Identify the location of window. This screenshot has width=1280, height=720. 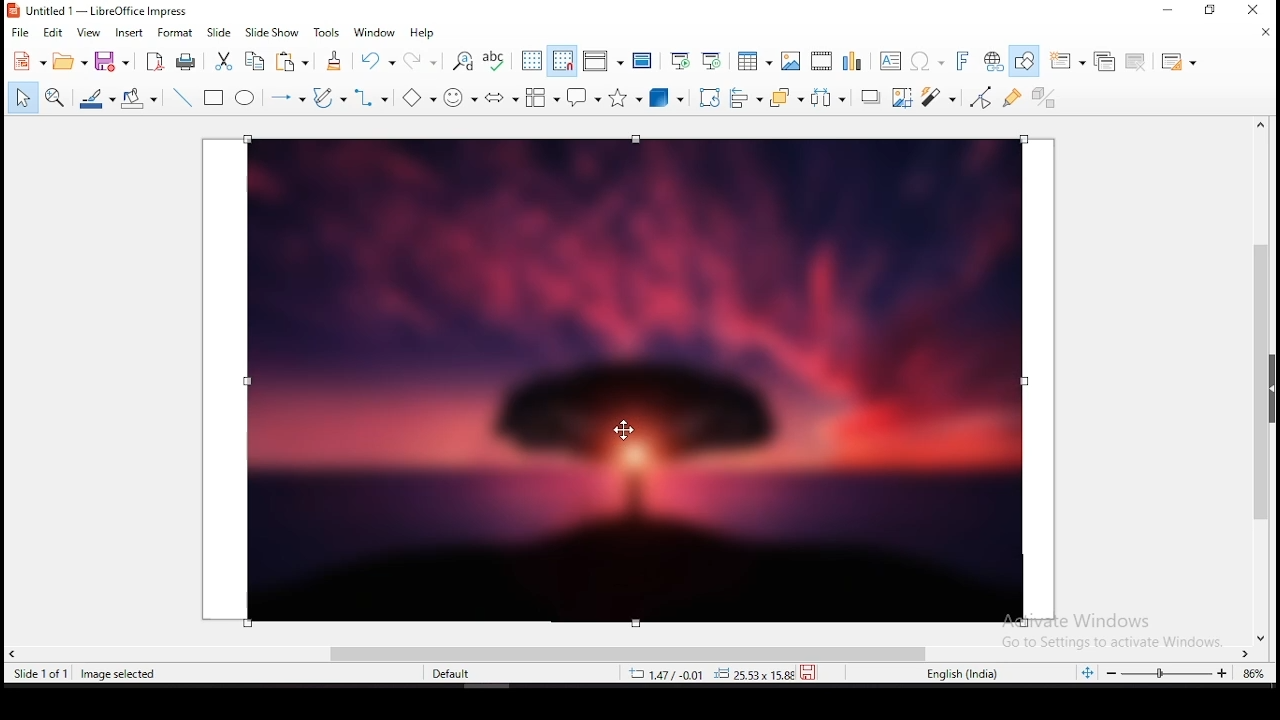
(377, 32).